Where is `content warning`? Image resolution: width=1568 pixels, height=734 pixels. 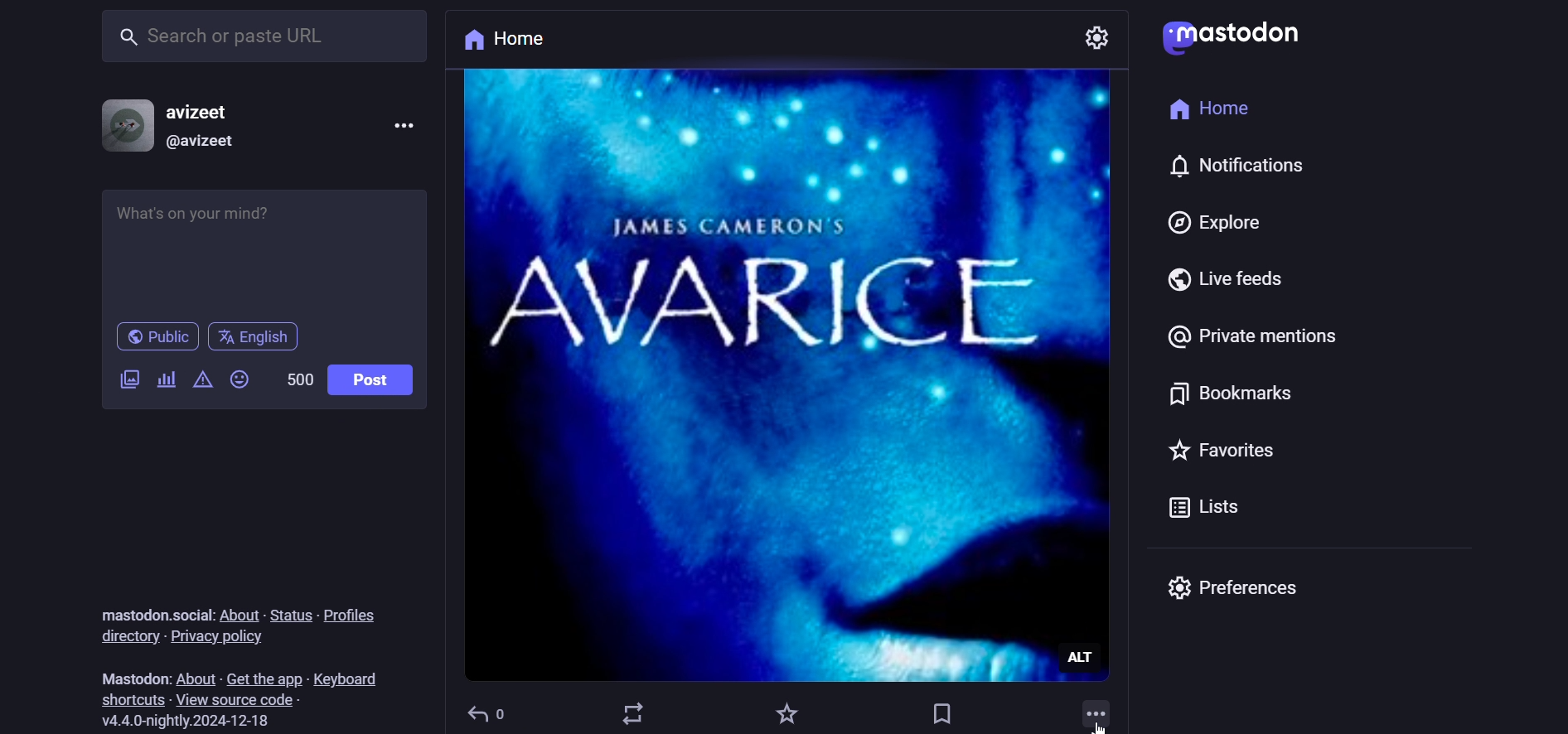 content warning is located at coordinates (205, 382).